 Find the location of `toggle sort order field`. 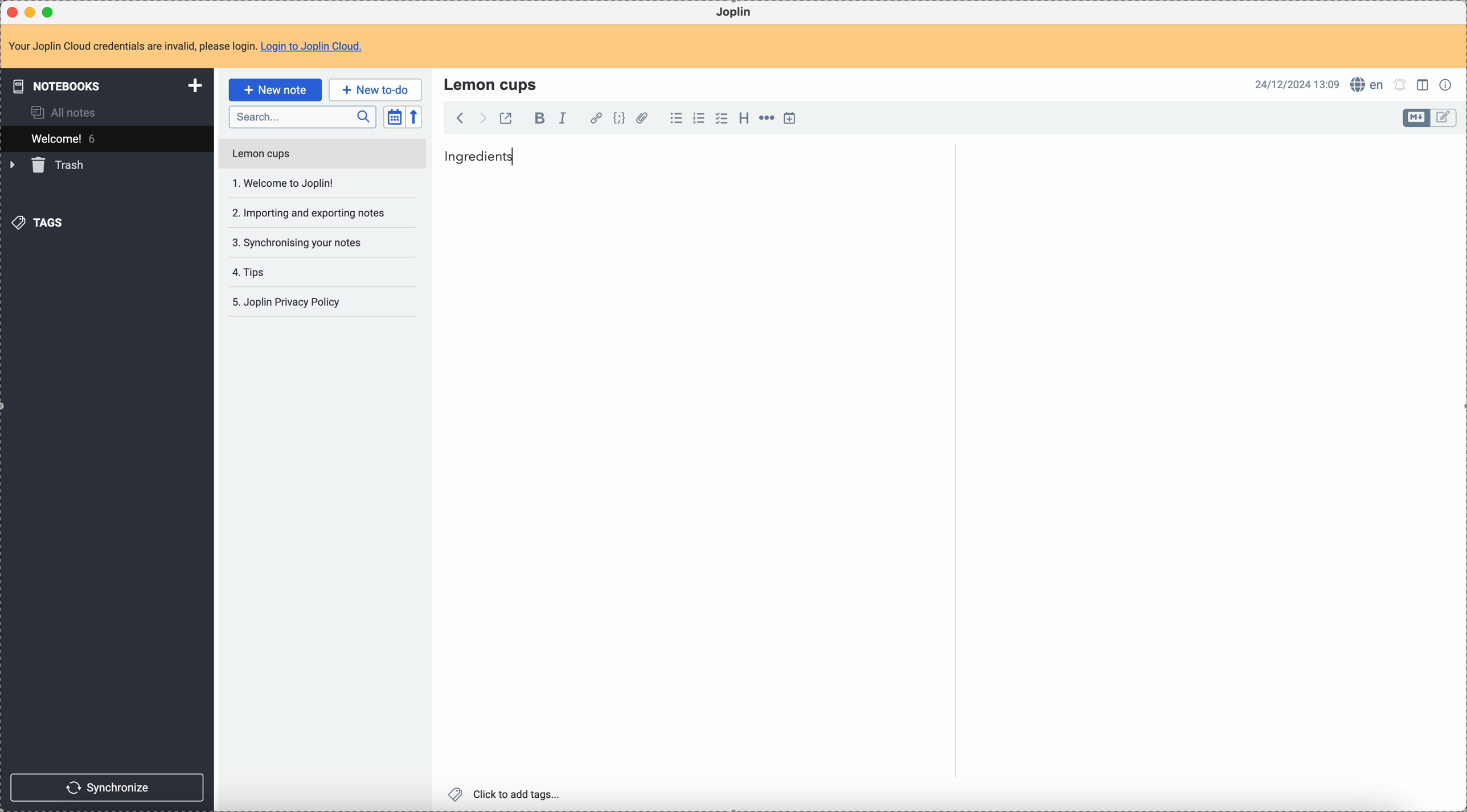

toggle sort order field is located at coordinates (394, 117).